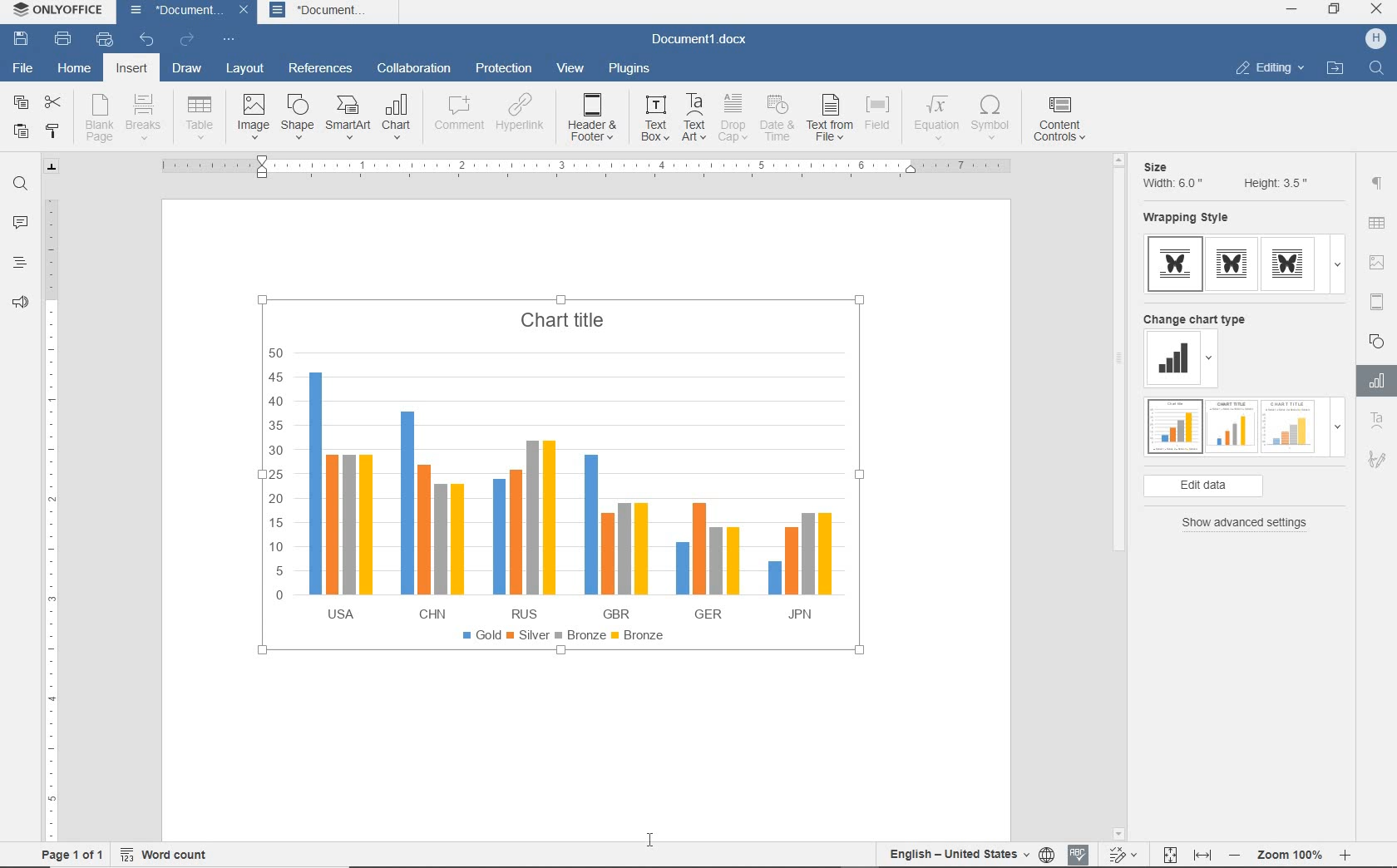  What do you see at coordinates (733, 121) in the screenshot?
I see `drop cap` at bounding box center [733, 121].